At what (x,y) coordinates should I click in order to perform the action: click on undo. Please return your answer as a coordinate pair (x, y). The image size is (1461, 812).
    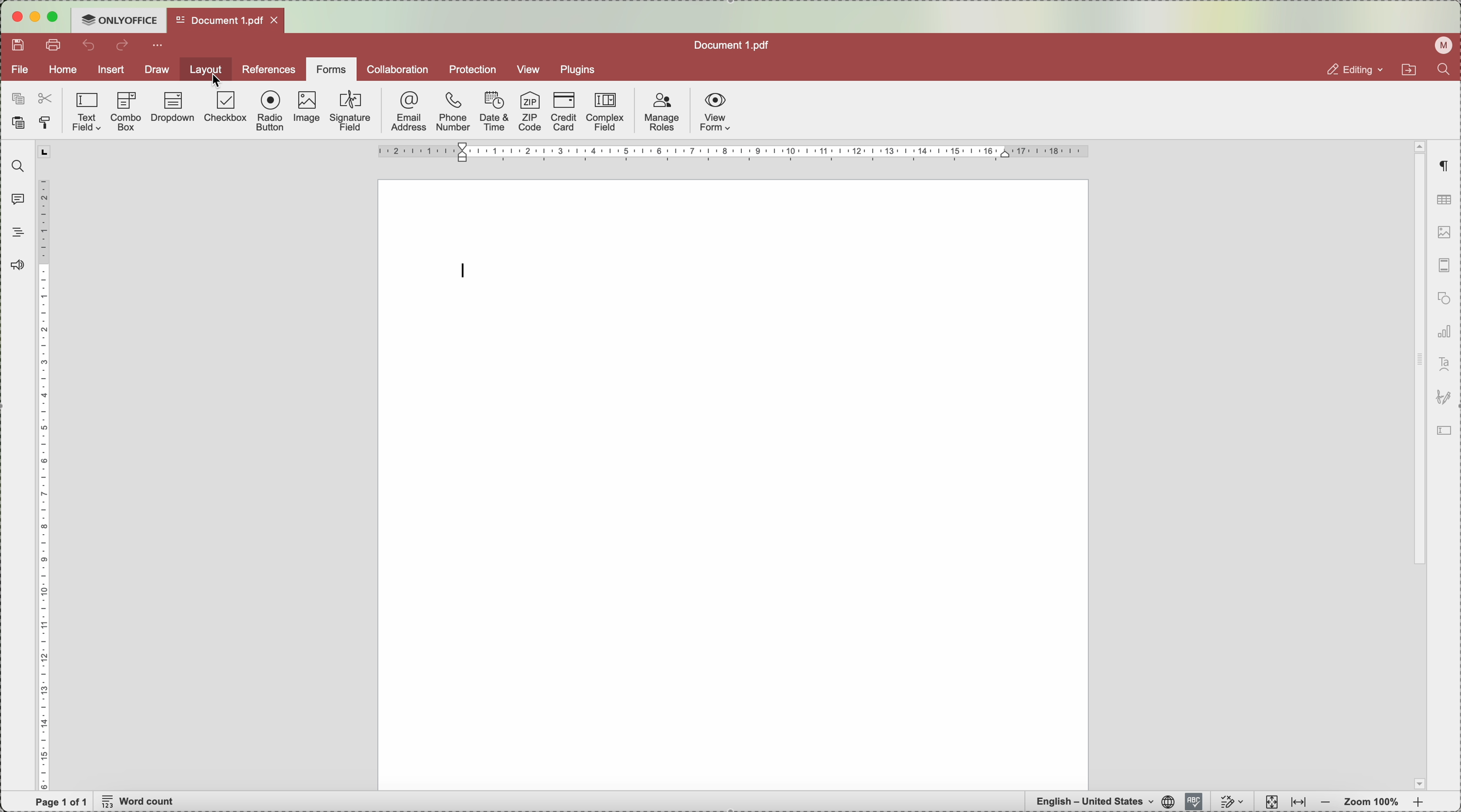
    Looking at the image, I should click on (90, 45).